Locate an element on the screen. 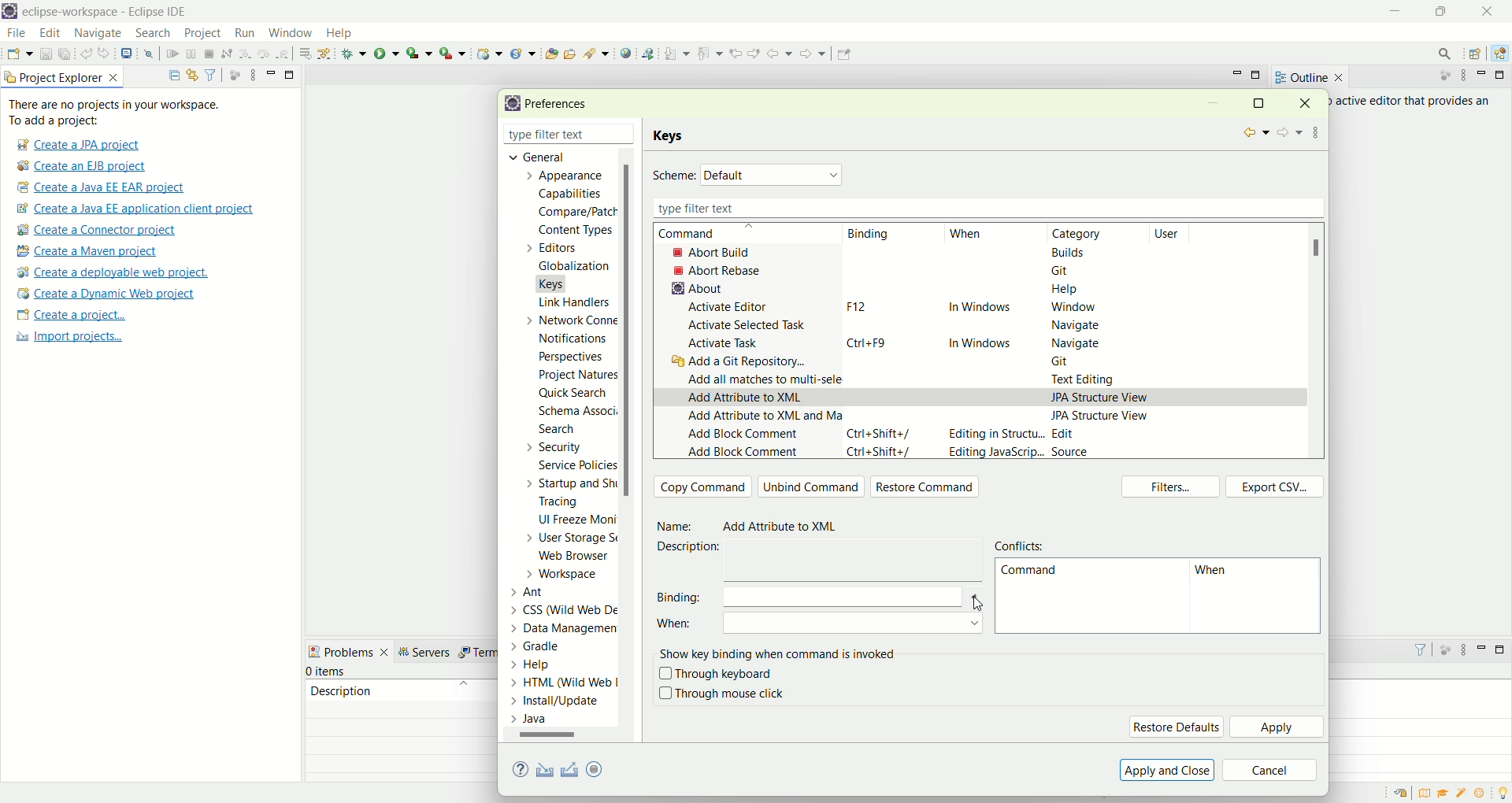 The image size is (1512, 803). step return is located at coordinates (285, 52).